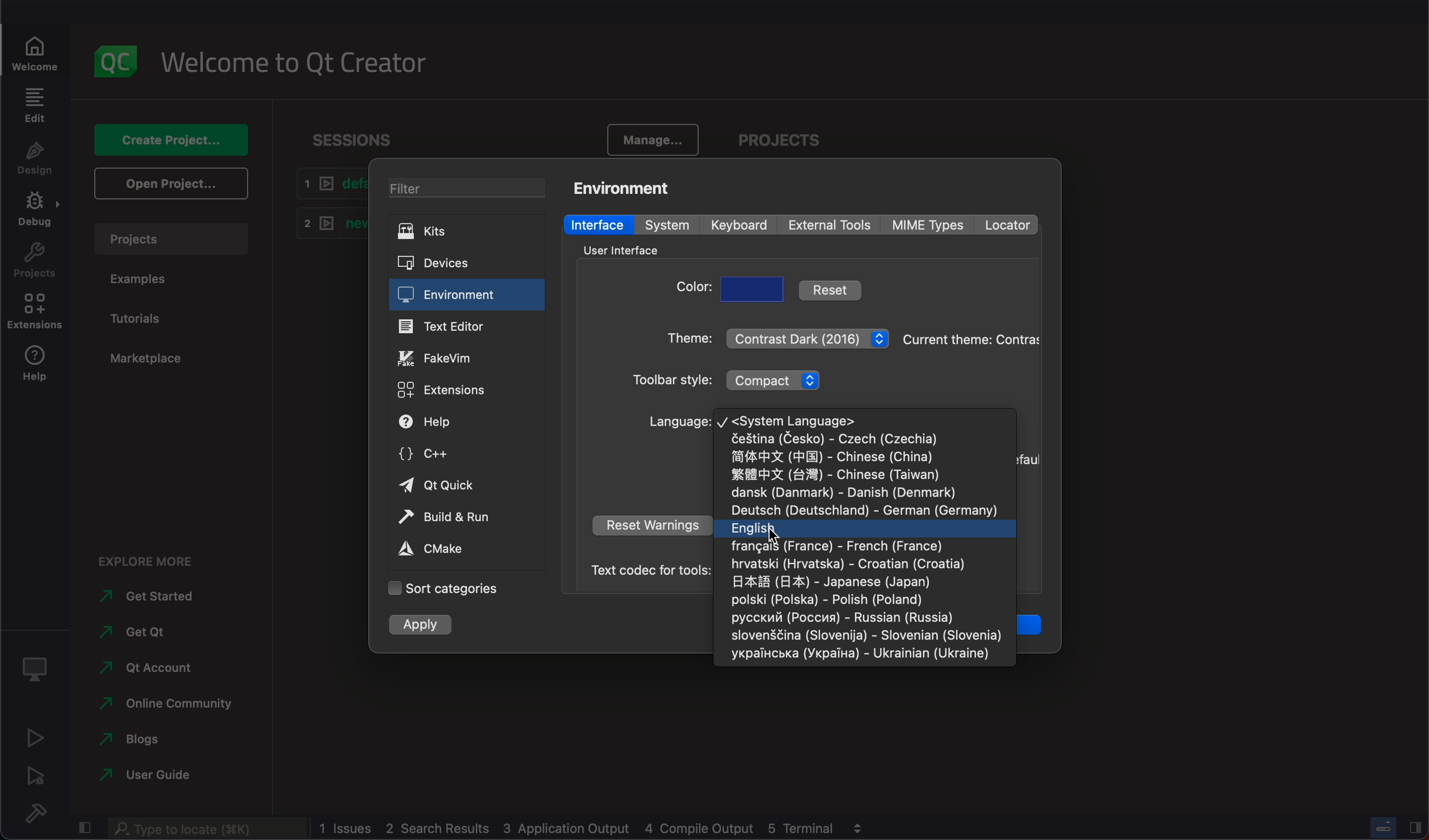 The height and width of the screenshot is (840, 1429). Describe the element at coordinates (463, 262) in the screenshot. I see `devicess` at that location.